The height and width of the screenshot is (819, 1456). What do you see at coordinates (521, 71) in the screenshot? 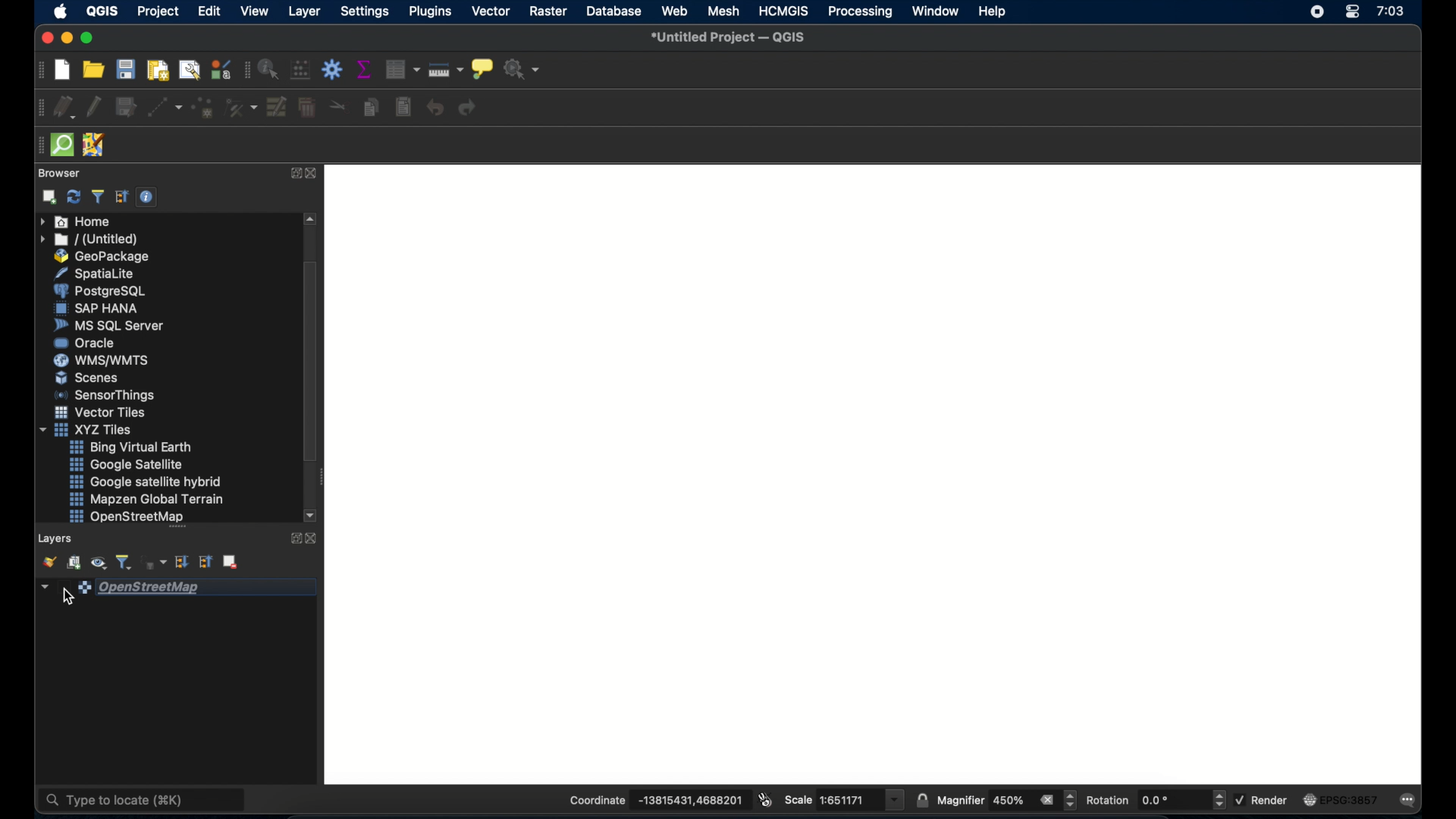
I see `no action selected` at bounding box center [521, 71].